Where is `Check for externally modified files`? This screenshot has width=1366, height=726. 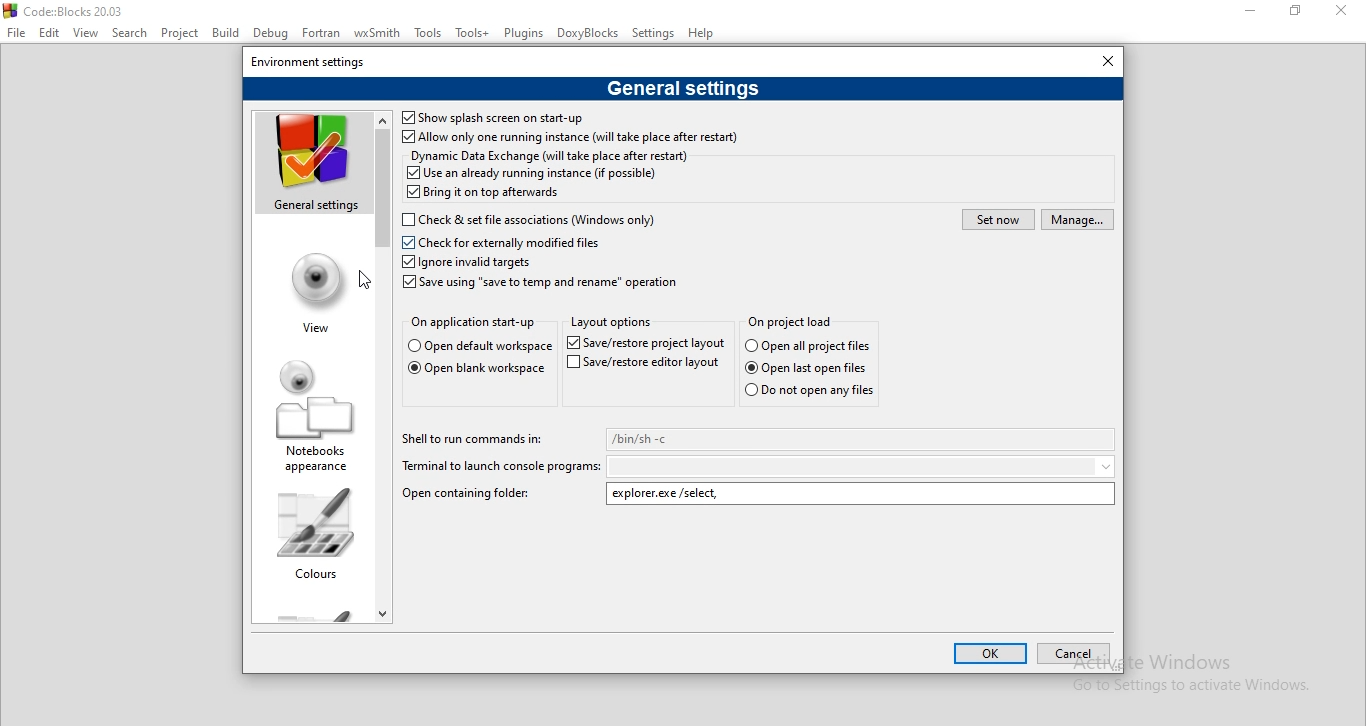 Check for externally modified files is located at coordinates (502, 241).